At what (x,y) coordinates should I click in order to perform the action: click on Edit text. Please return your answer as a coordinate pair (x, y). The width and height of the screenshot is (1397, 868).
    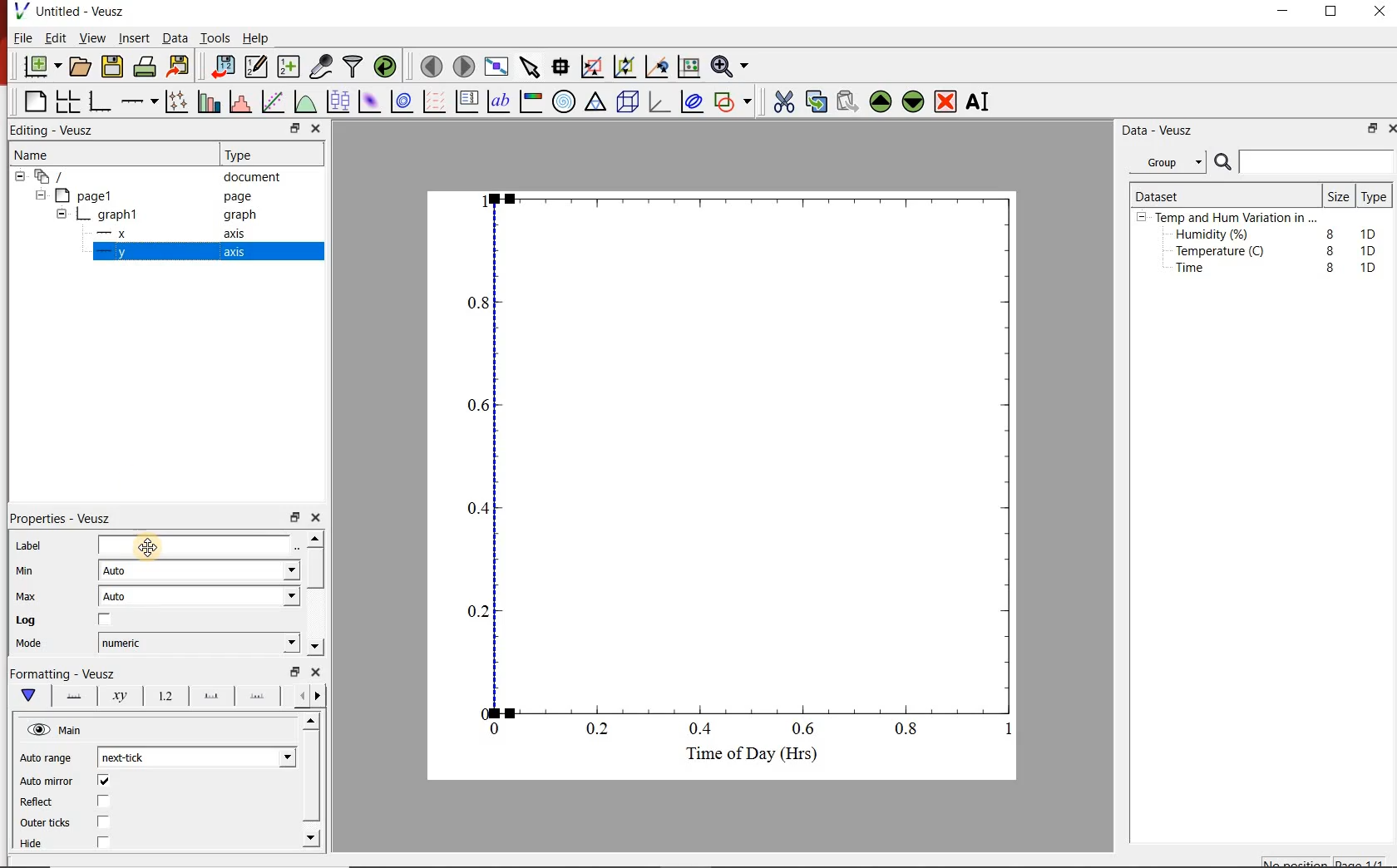
    Looking at the image, I should click on (300, 545).